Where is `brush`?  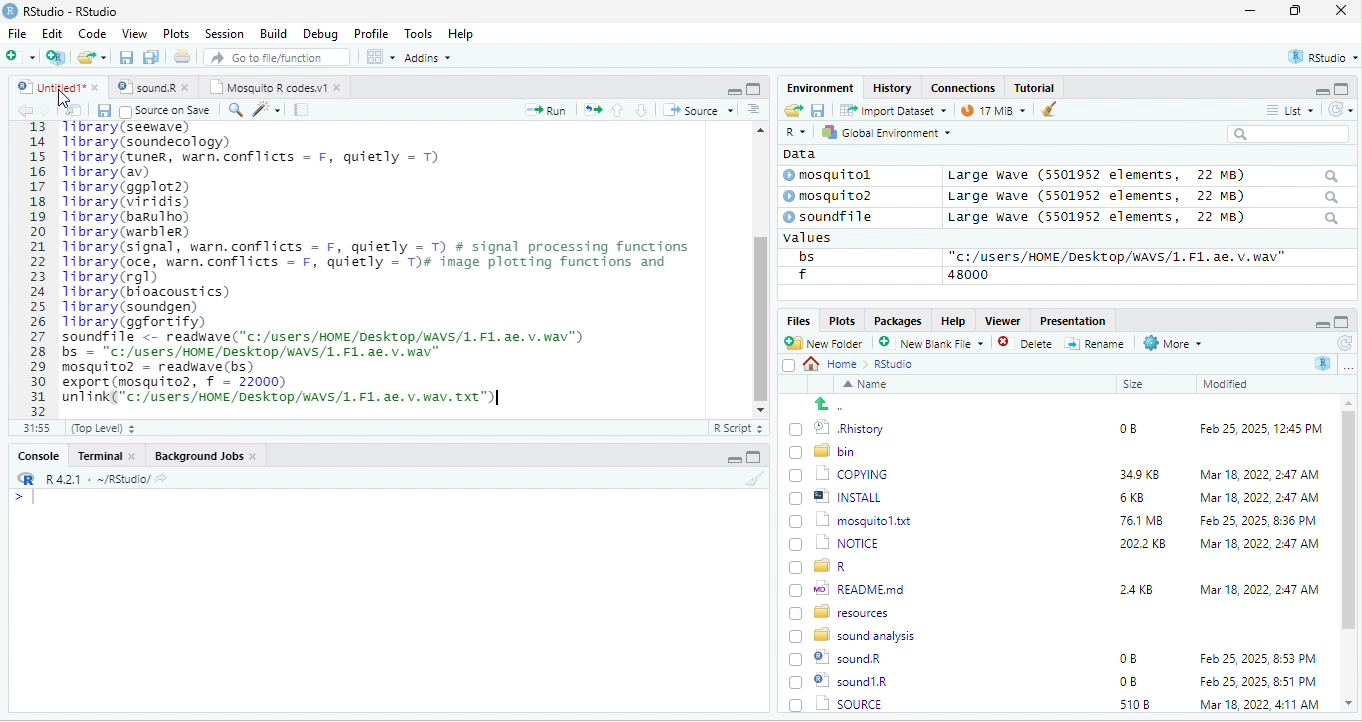
brush is located at coordinates (1044, 111).